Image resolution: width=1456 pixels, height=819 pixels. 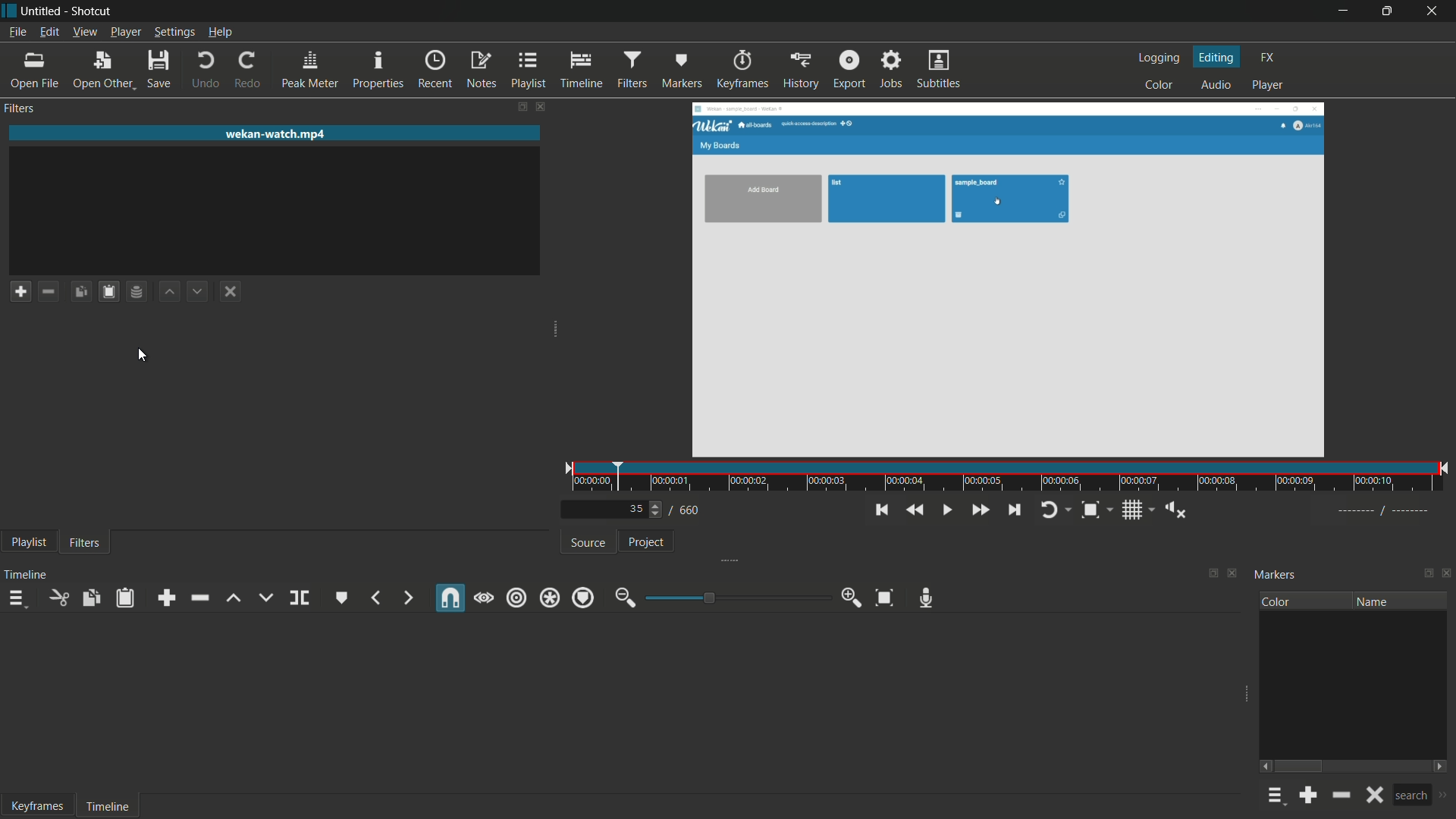 What do you see at coordinates (1373, 795) in the screenshot?
I see `deselect the marker` at bounding box center [1373, 795].